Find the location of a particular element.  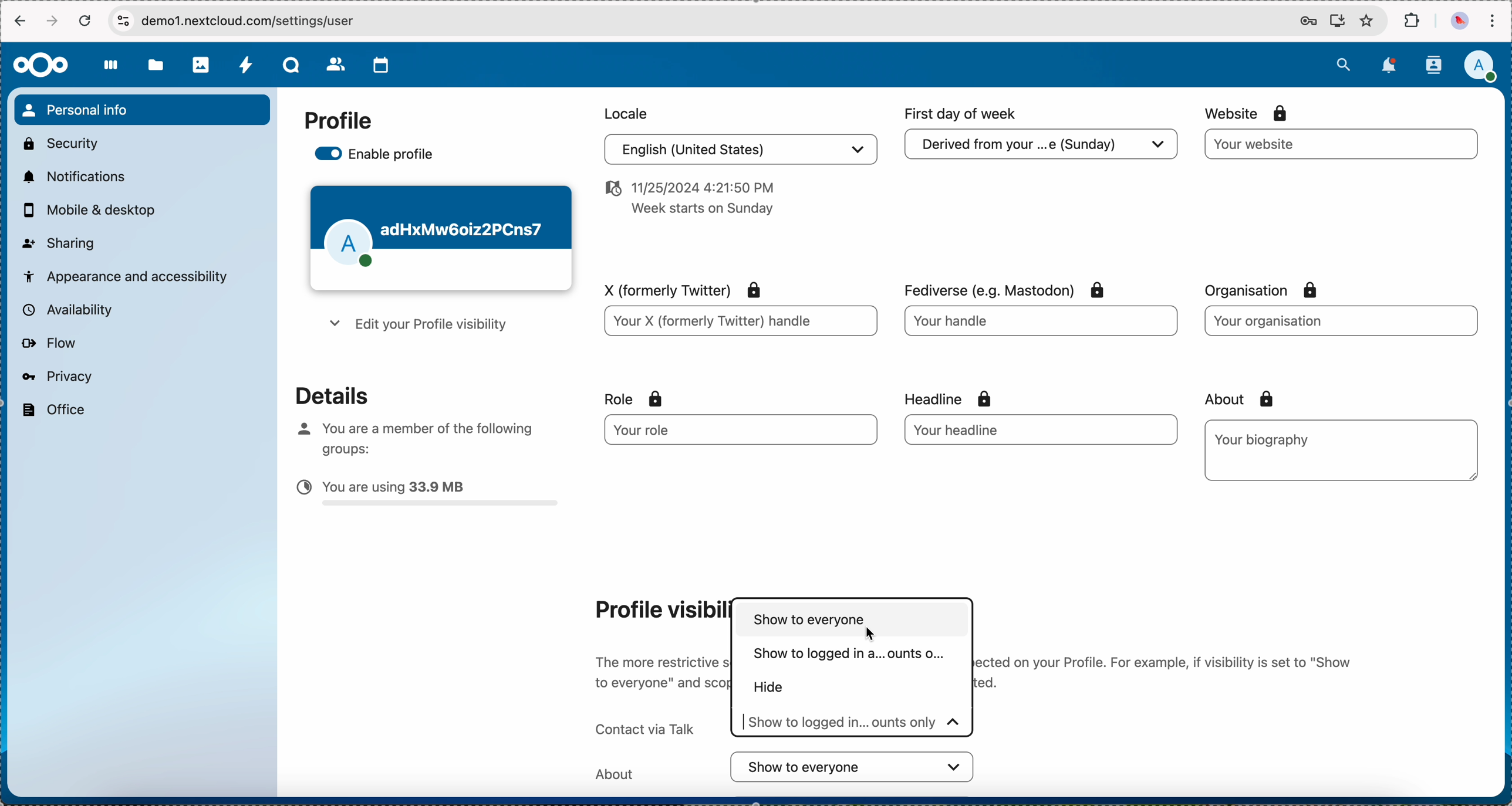

derived from your is located at coordinates (1038, 148).